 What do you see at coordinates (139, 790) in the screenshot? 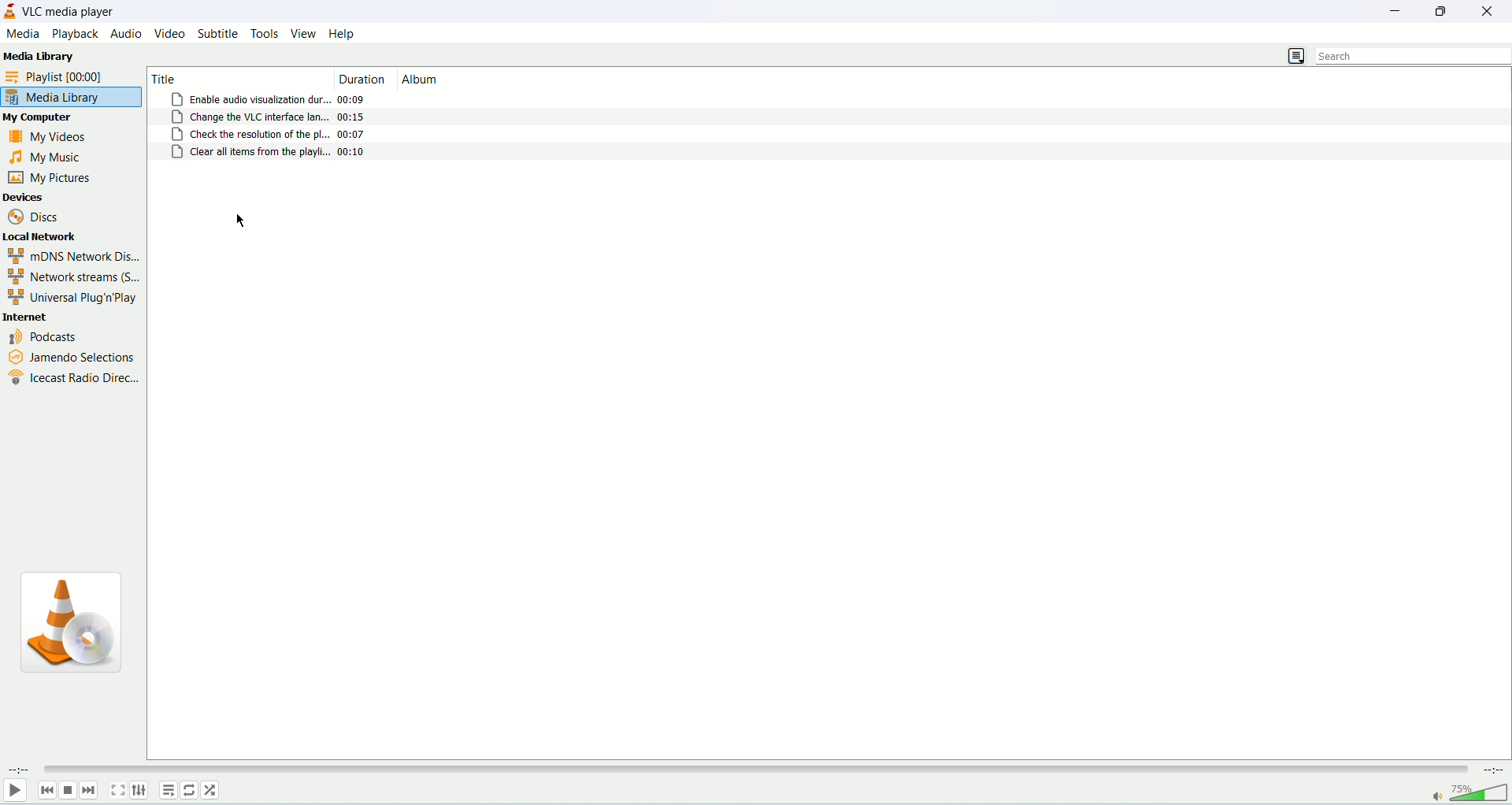
I see `extended settings` at bounding box center [139, 790].